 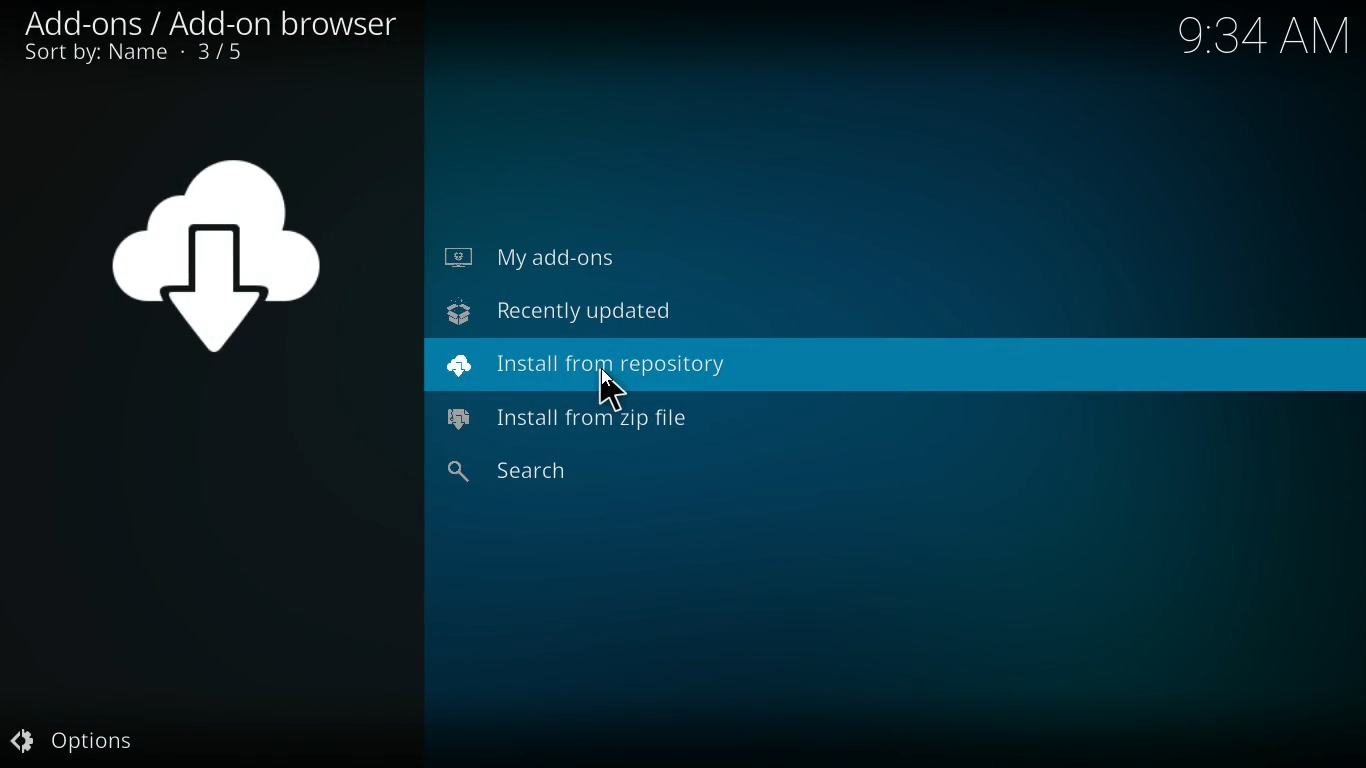 What do you see at coordinates (96, 738) in the screenshot?
I see `options` at bounding box center [96, 738].